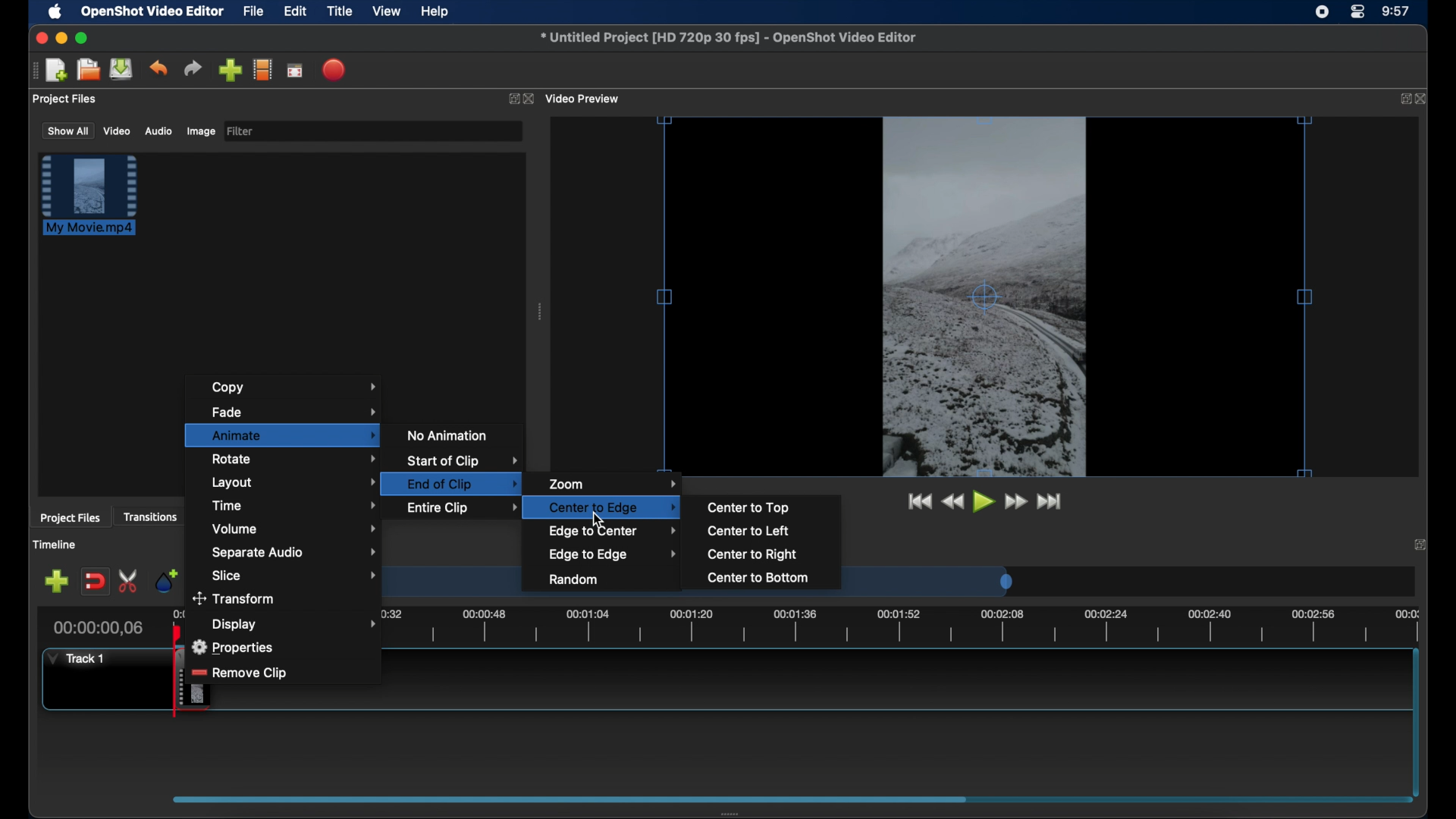 This screenshot has width=1456, height=819. Describe the element at coordinates (166, 579) in the screenshot. I see `add marker` at that location.